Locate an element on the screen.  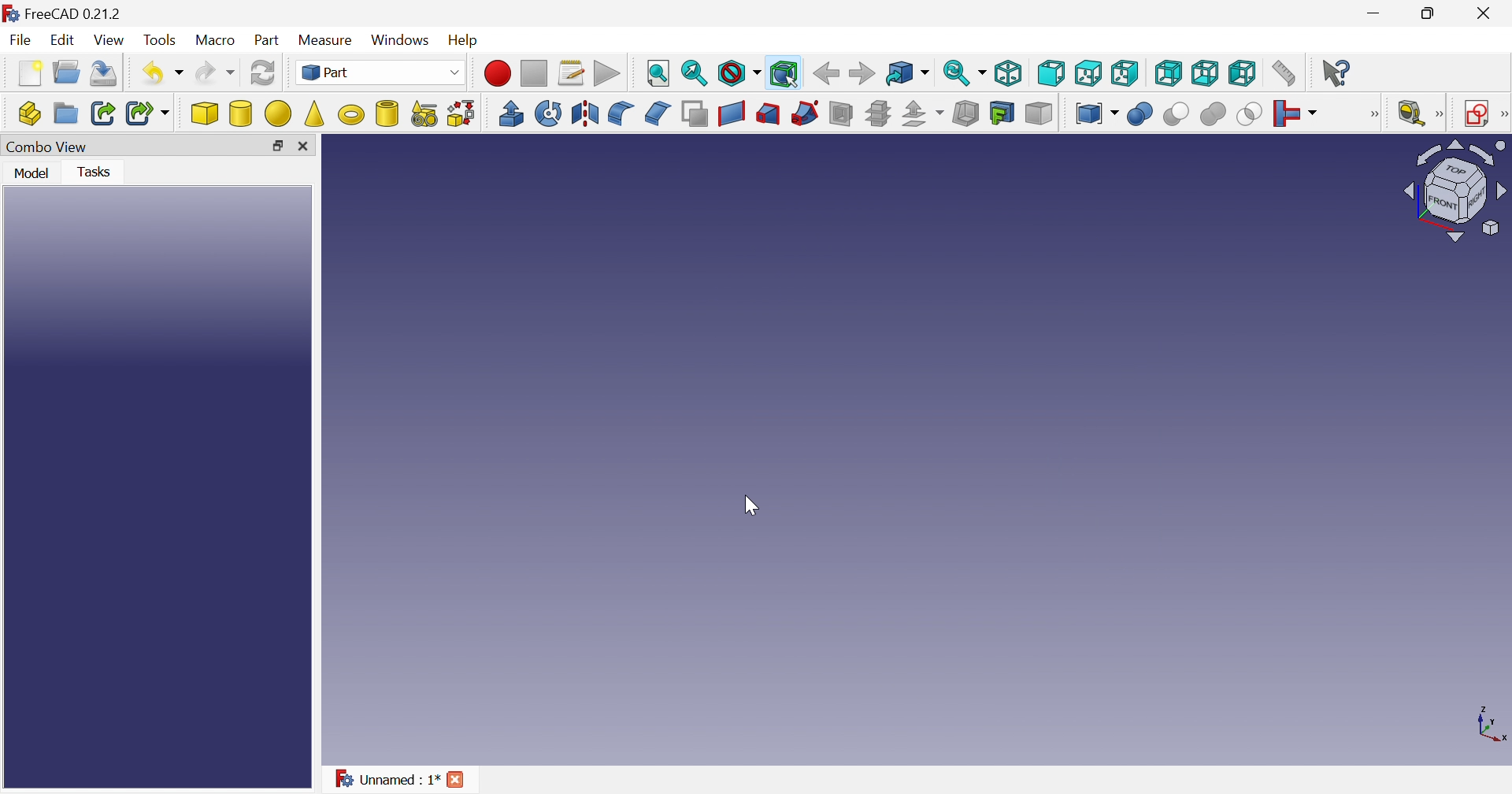
Thickness... is located at coordinates (965, 113).